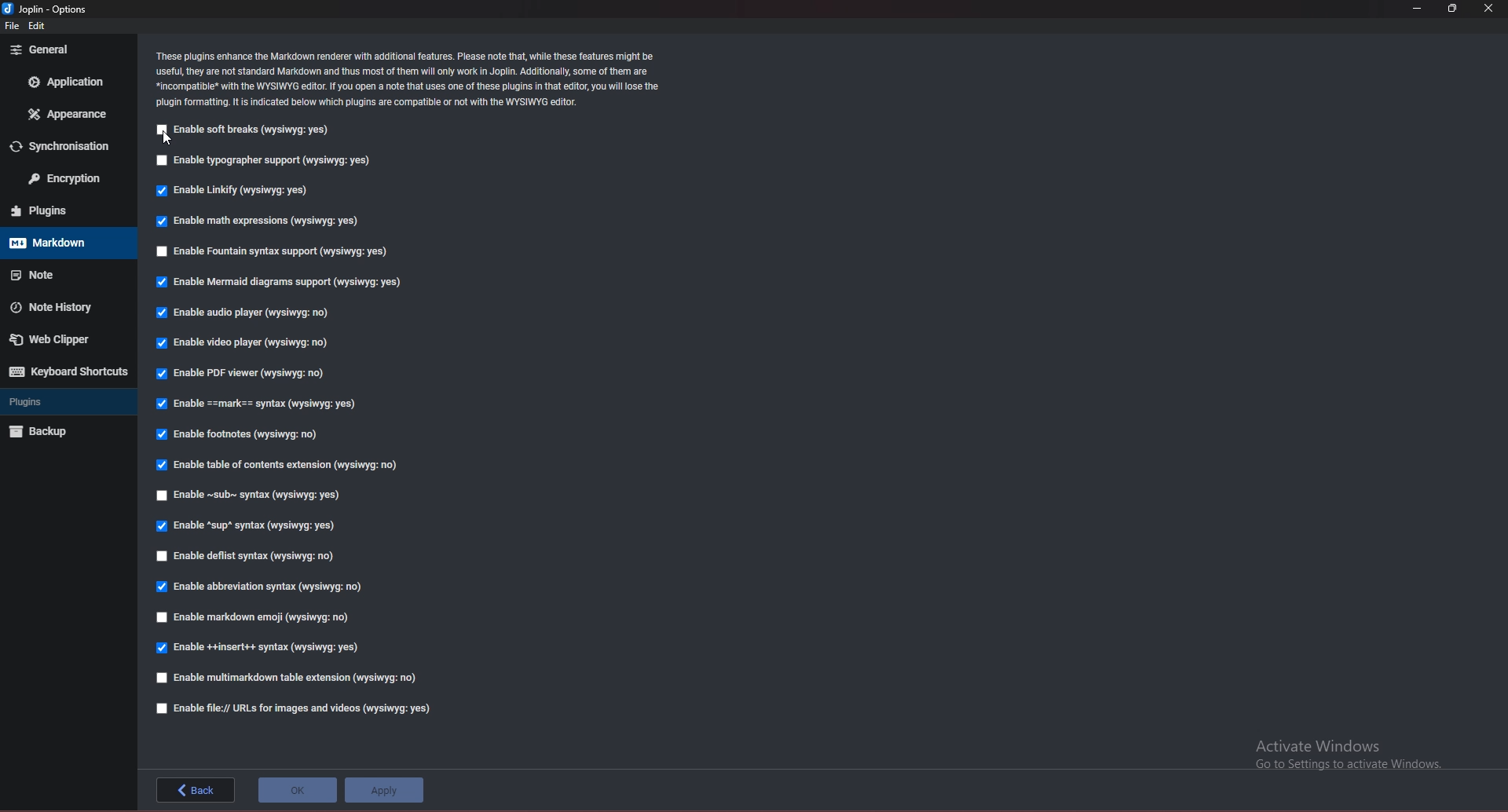 This screenshot has width=1508, height=812. I want to click on enable sub syntax, so click(251, 494).